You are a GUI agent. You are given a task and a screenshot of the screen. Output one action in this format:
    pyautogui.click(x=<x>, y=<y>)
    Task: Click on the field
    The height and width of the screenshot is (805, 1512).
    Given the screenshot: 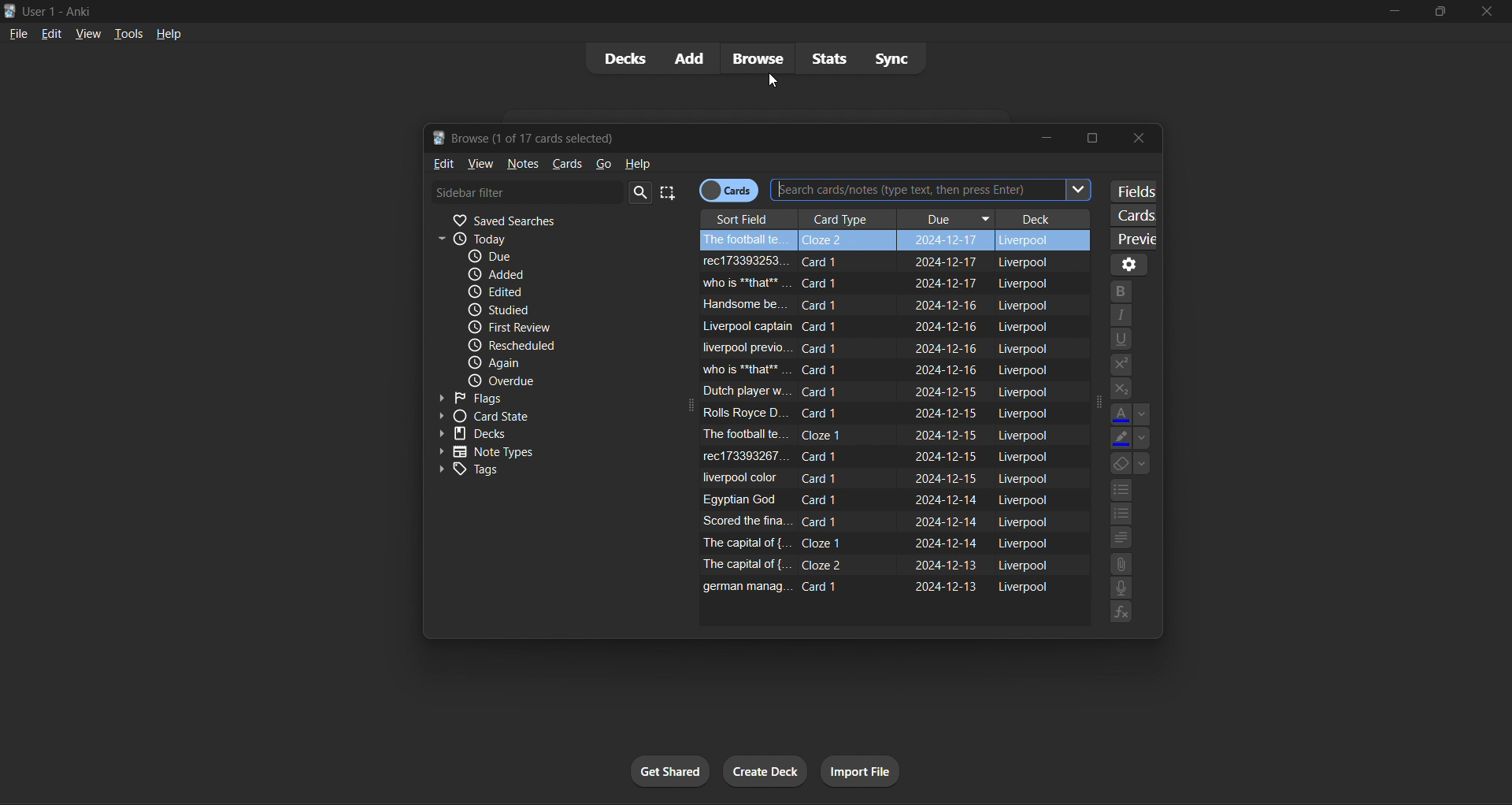 What is the action you would take?
    pyautogui.click(x=748, y=432)
    